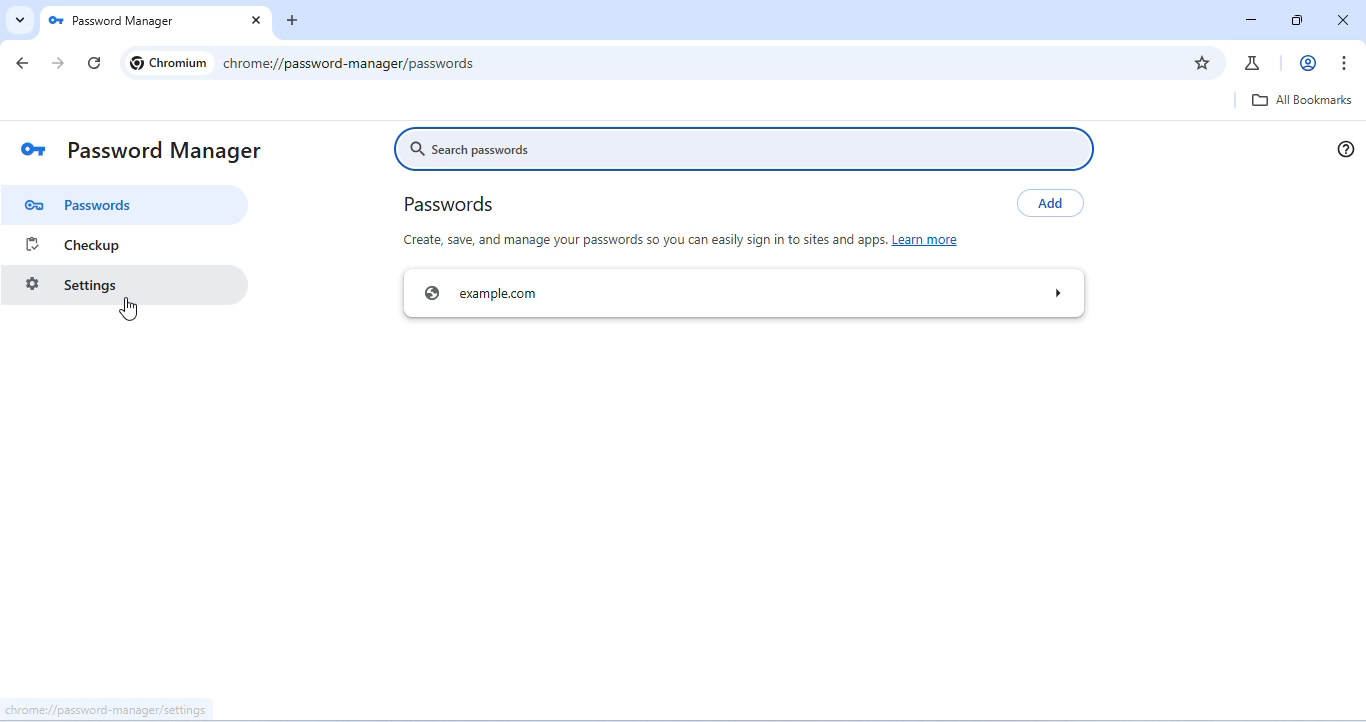  I want to click on go forward, so click(60, 63).